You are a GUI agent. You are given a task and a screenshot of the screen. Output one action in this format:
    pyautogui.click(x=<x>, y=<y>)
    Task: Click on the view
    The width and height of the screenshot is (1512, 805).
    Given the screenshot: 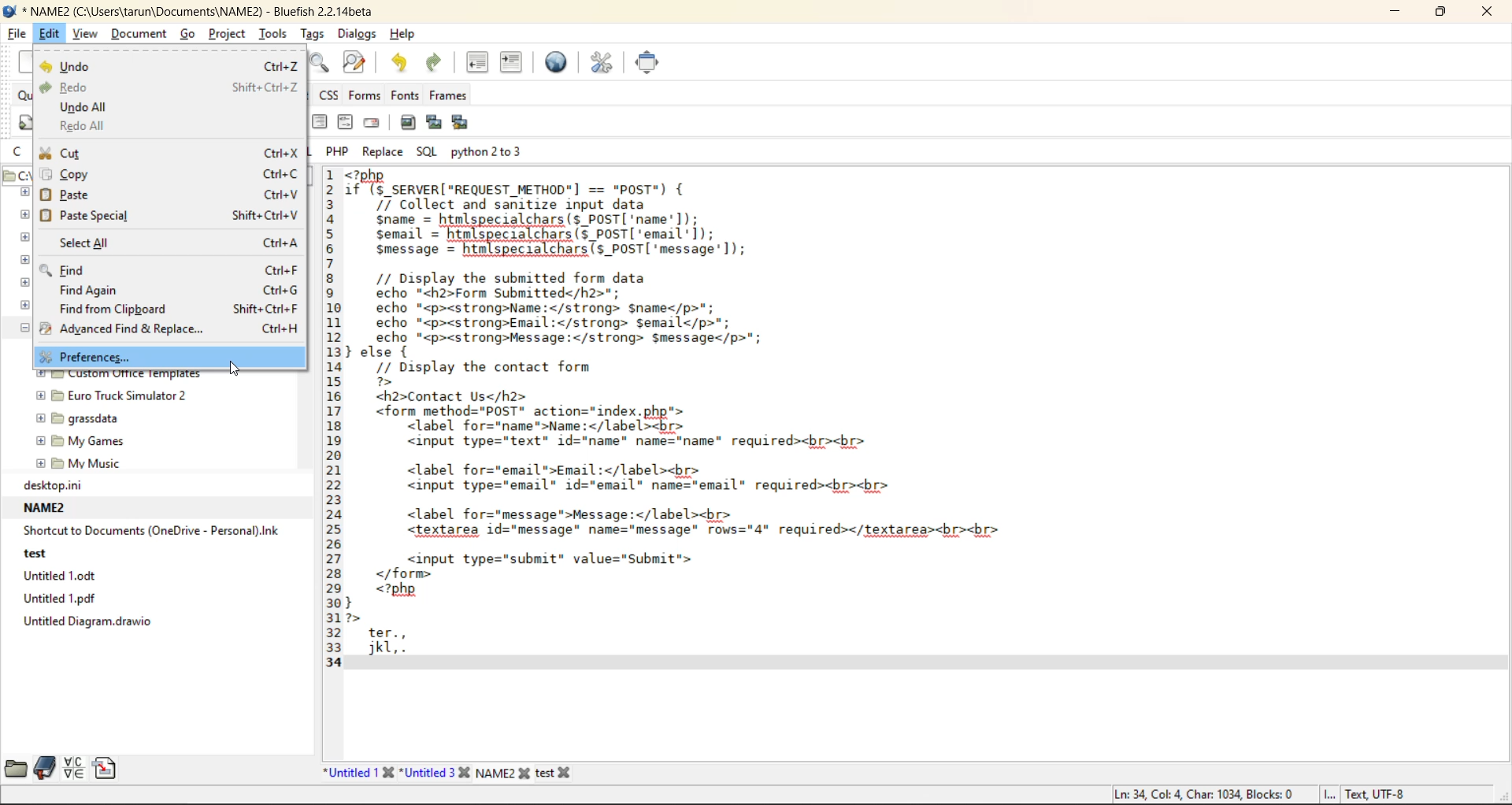 What is the action you would take?
    pyautogui.click(x=83, y=34)
    